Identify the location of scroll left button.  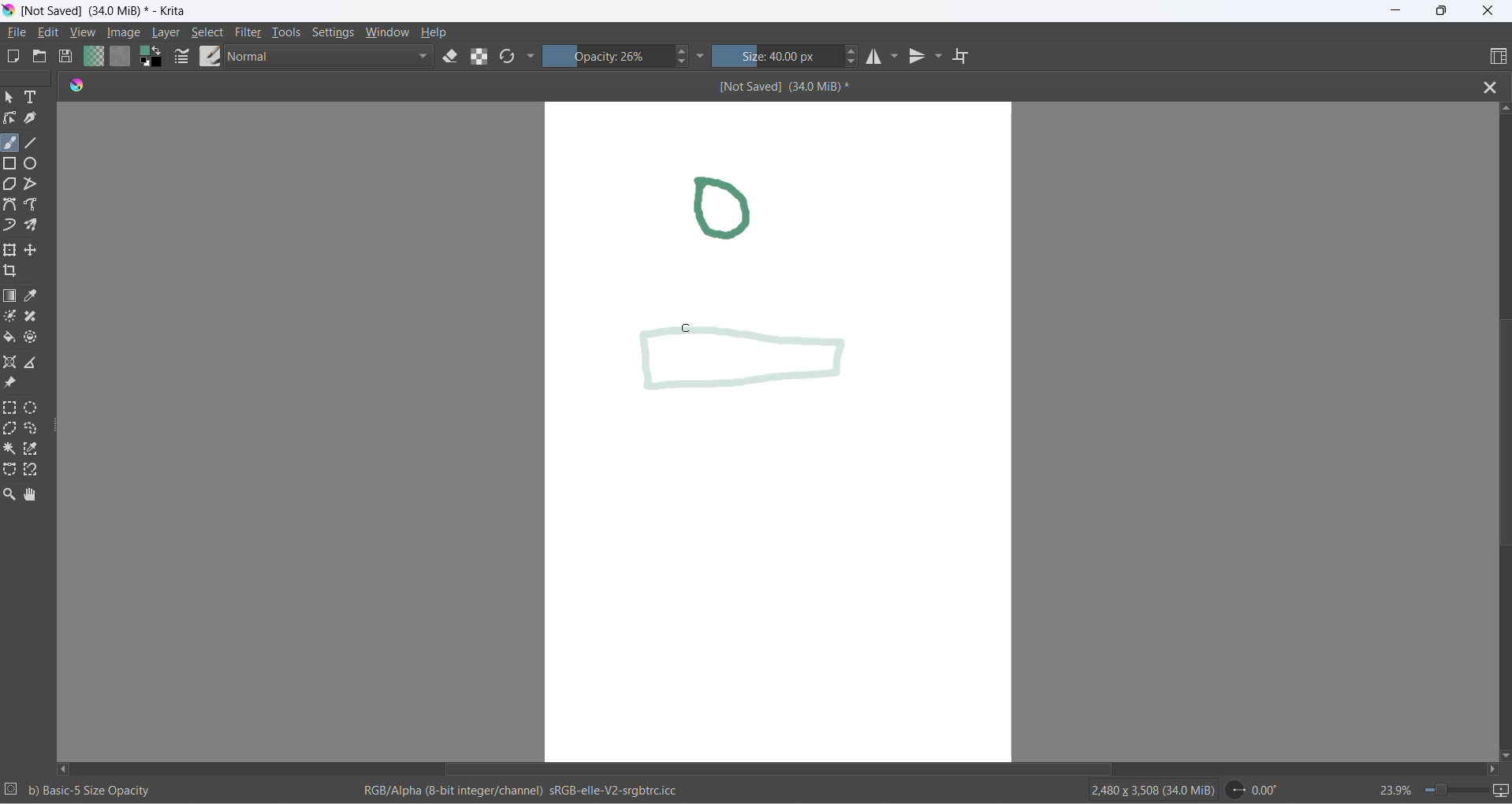
(69, 765).